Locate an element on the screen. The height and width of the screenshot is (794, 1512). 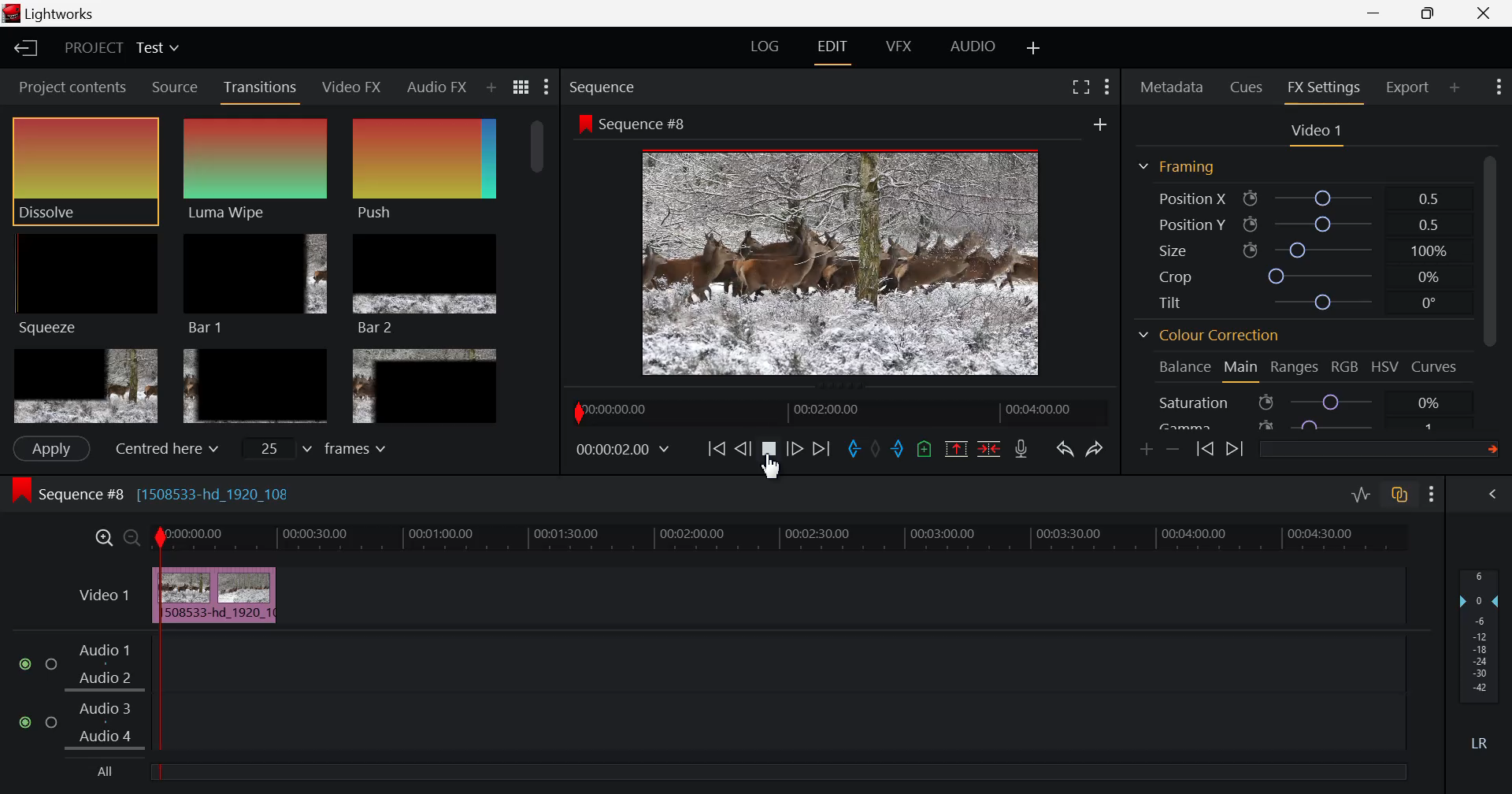
Dissolve Effect is located at coordinates (85, 171).